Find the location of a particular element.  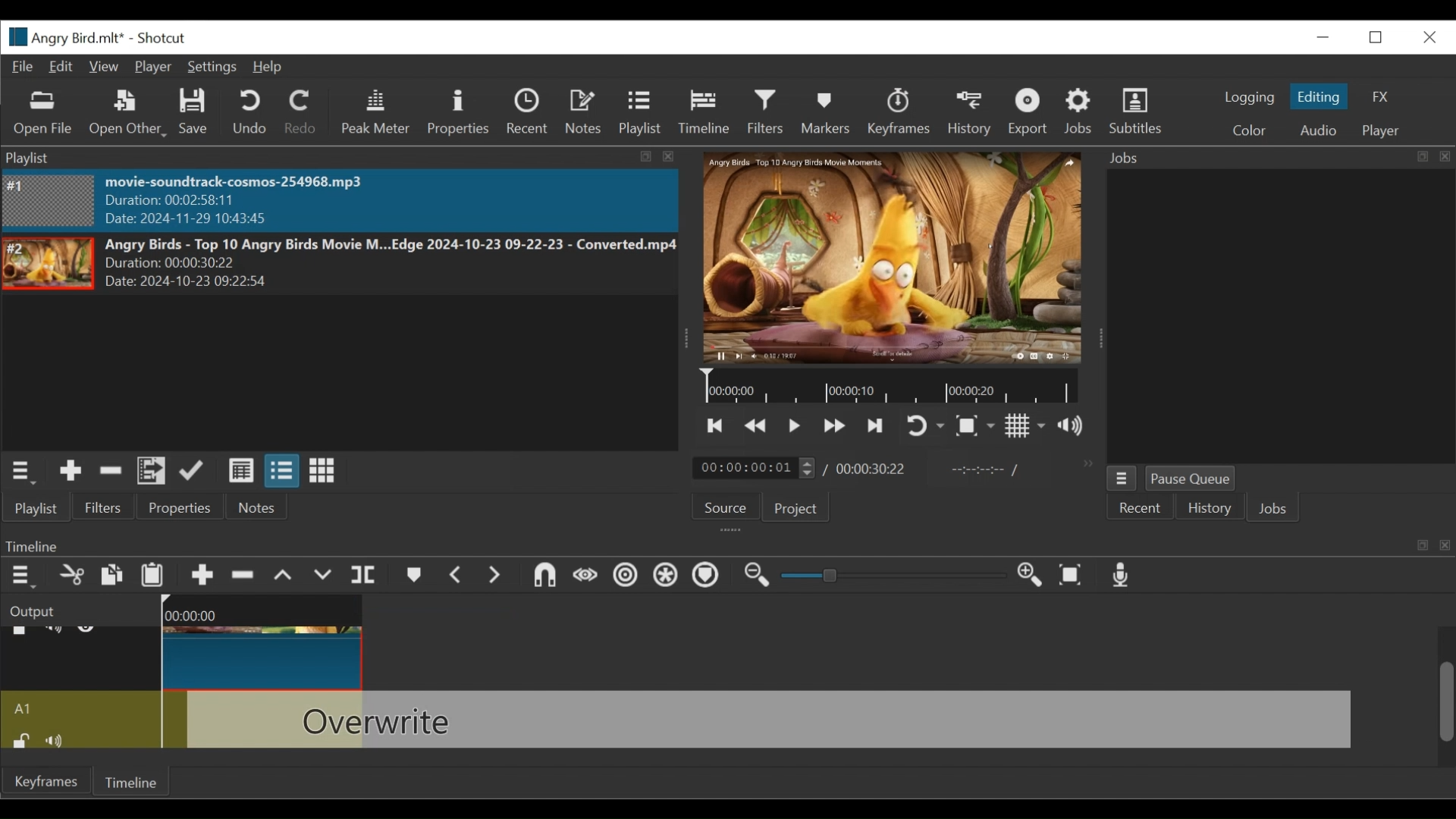

logging is located at coordinates (1250, 97).